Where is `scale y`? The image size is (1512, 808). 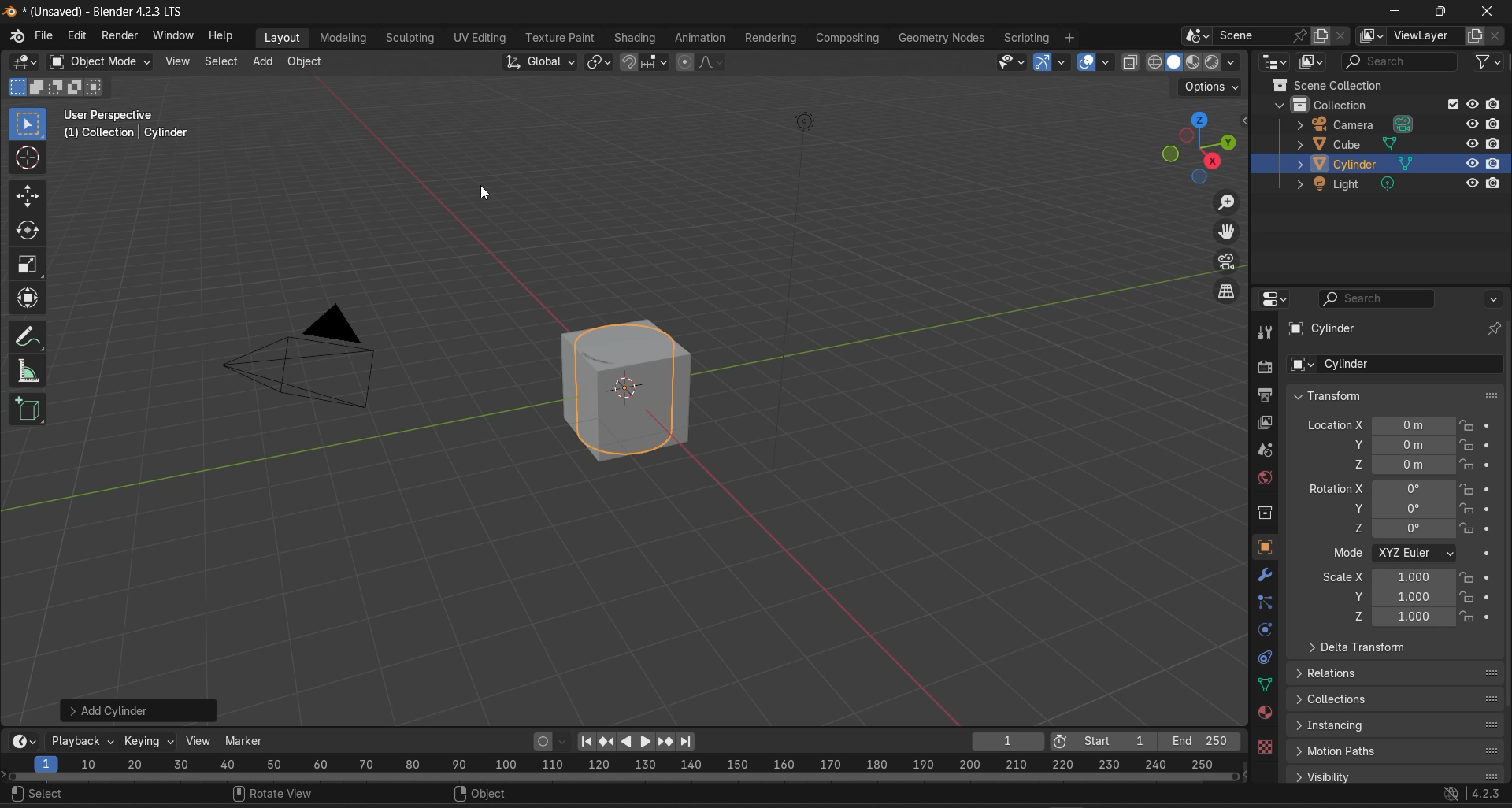
scale y is located at coordinates (1401, 596).